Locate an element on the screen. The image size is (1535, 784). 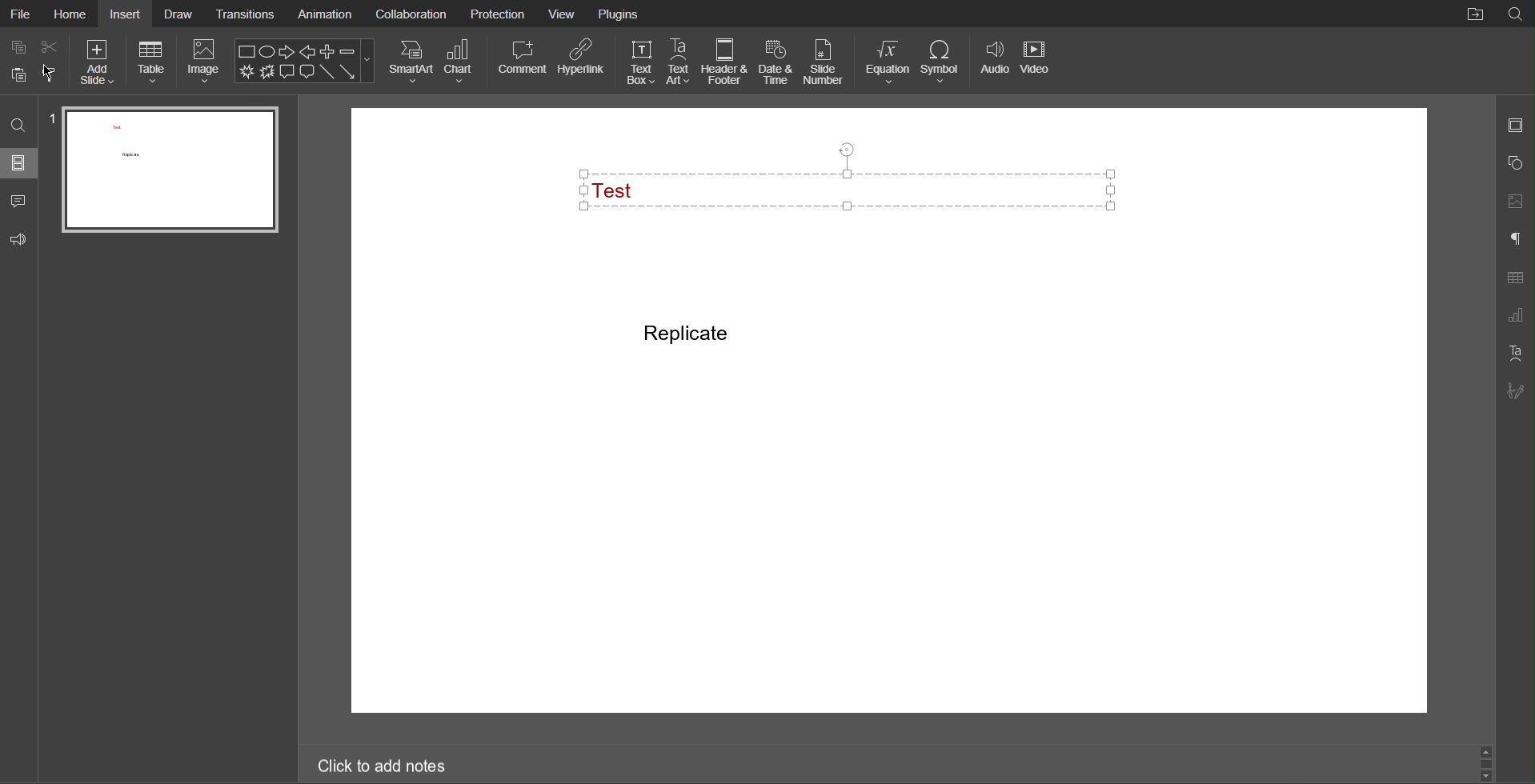
Slide Settings is located at coordinates (1516, 124).